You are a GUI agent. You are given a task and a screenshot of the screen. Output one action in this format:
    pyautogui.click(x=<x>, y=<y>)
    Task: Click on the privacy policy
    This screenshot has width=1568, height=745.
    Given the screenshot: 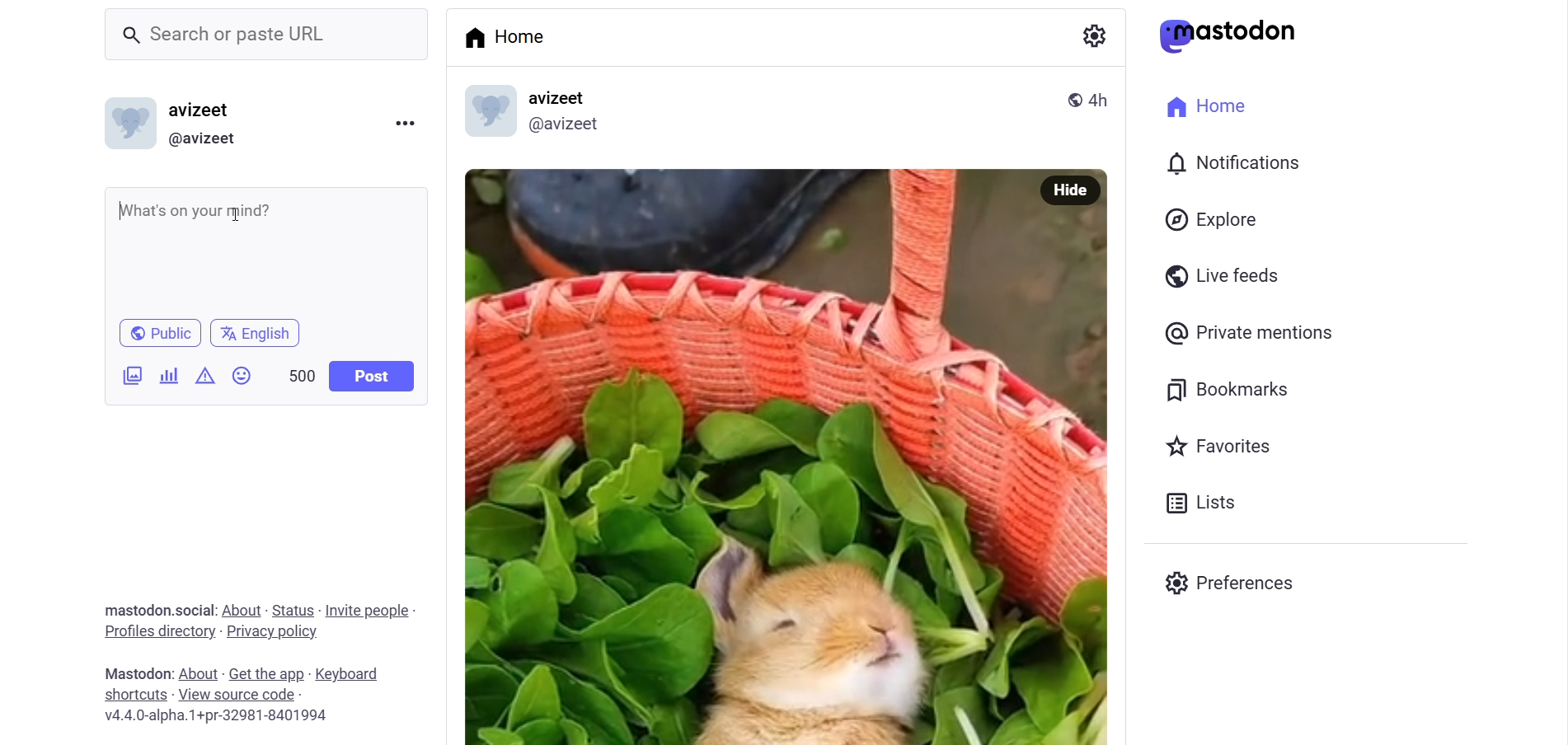 What is the action you would take?
    pyautogui.click(x=272, y=635)
    